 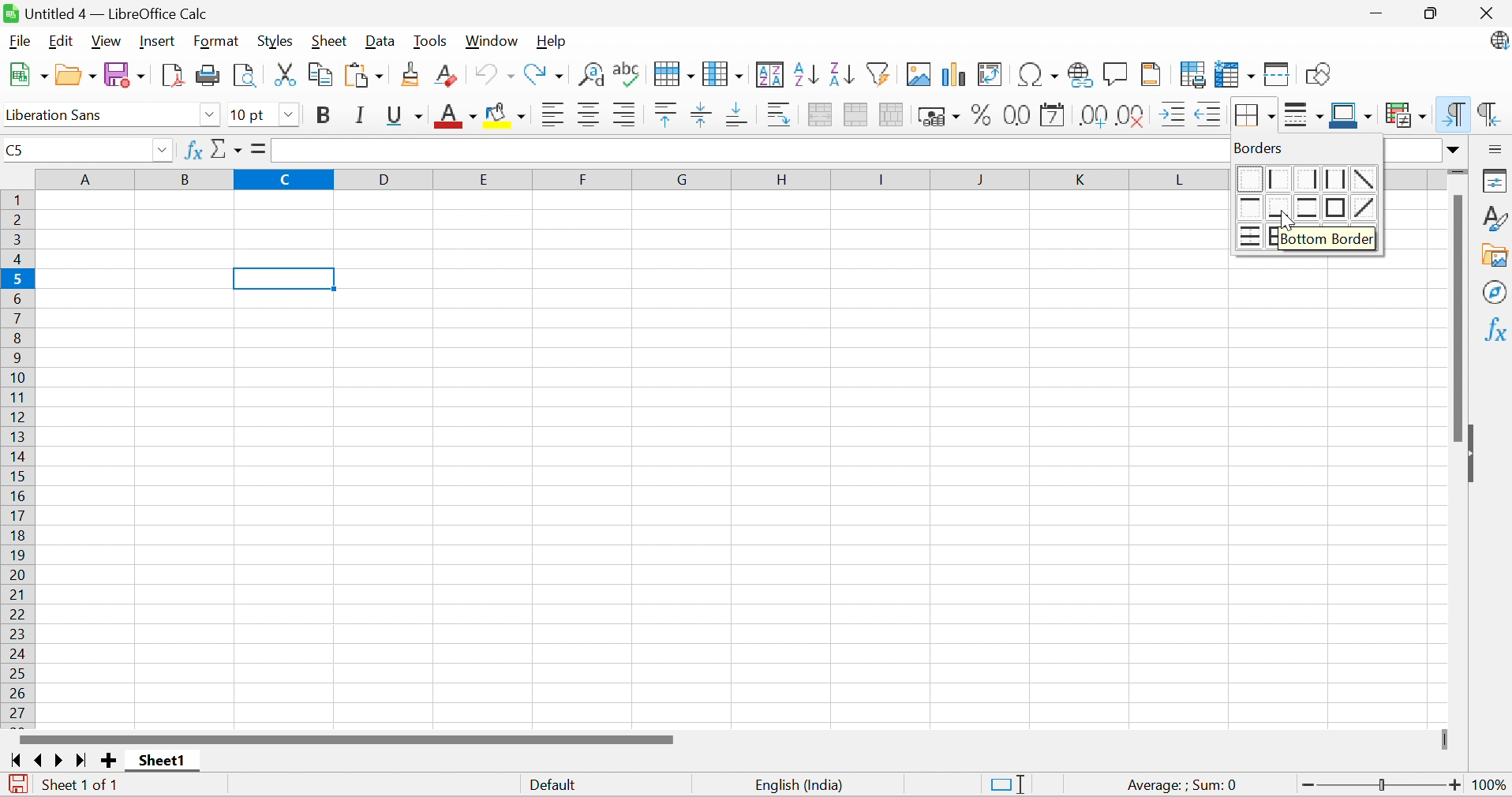 What do you see at coordinates (919, 75) in the screenshot?
I see `Insert image` at bounding box center [919, 75].